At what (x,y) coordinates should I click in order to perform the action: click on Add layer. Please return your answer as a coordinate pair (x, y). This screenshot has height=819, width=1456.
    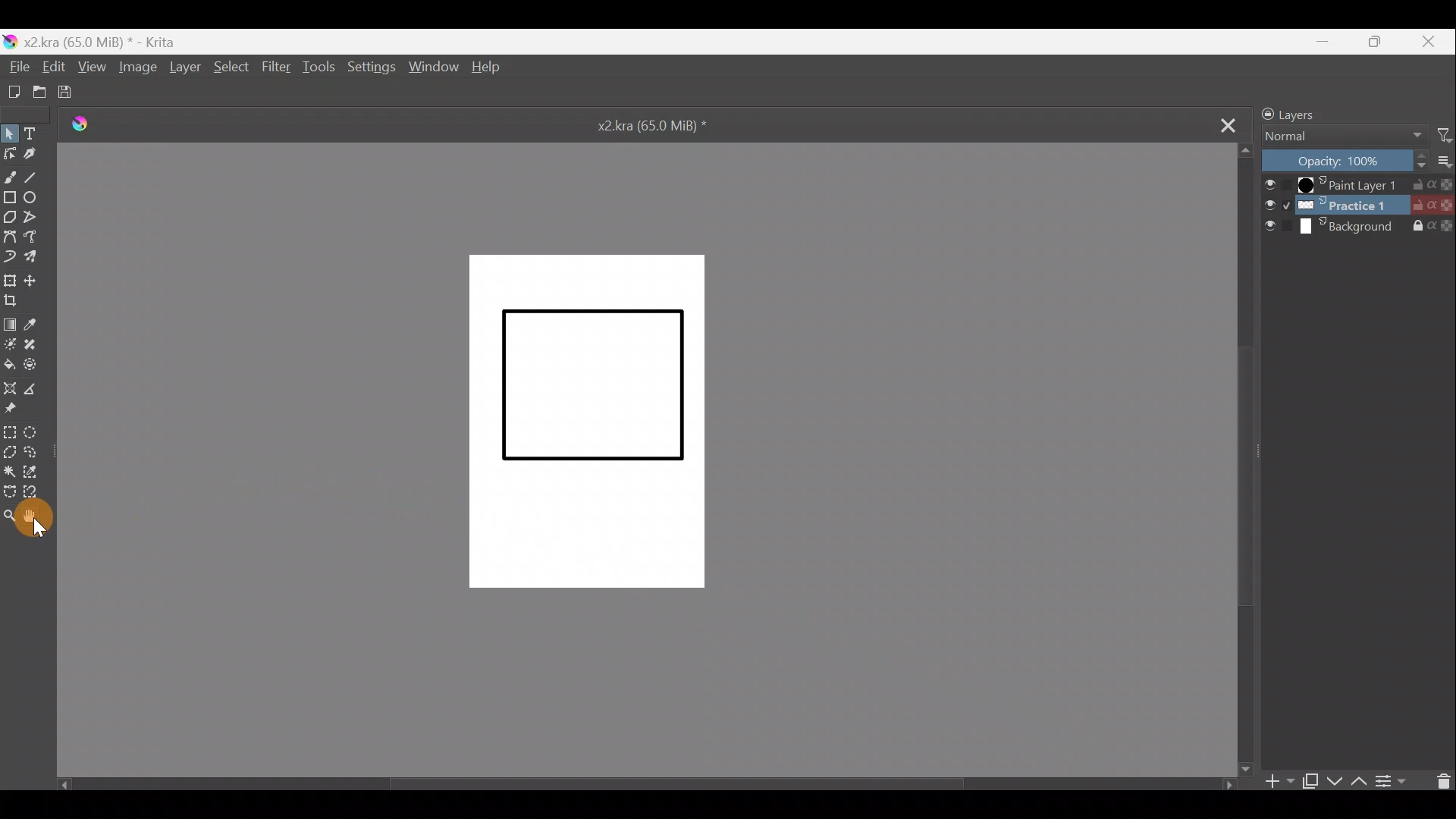
    Looking at the image, I should click on (1273, 781).